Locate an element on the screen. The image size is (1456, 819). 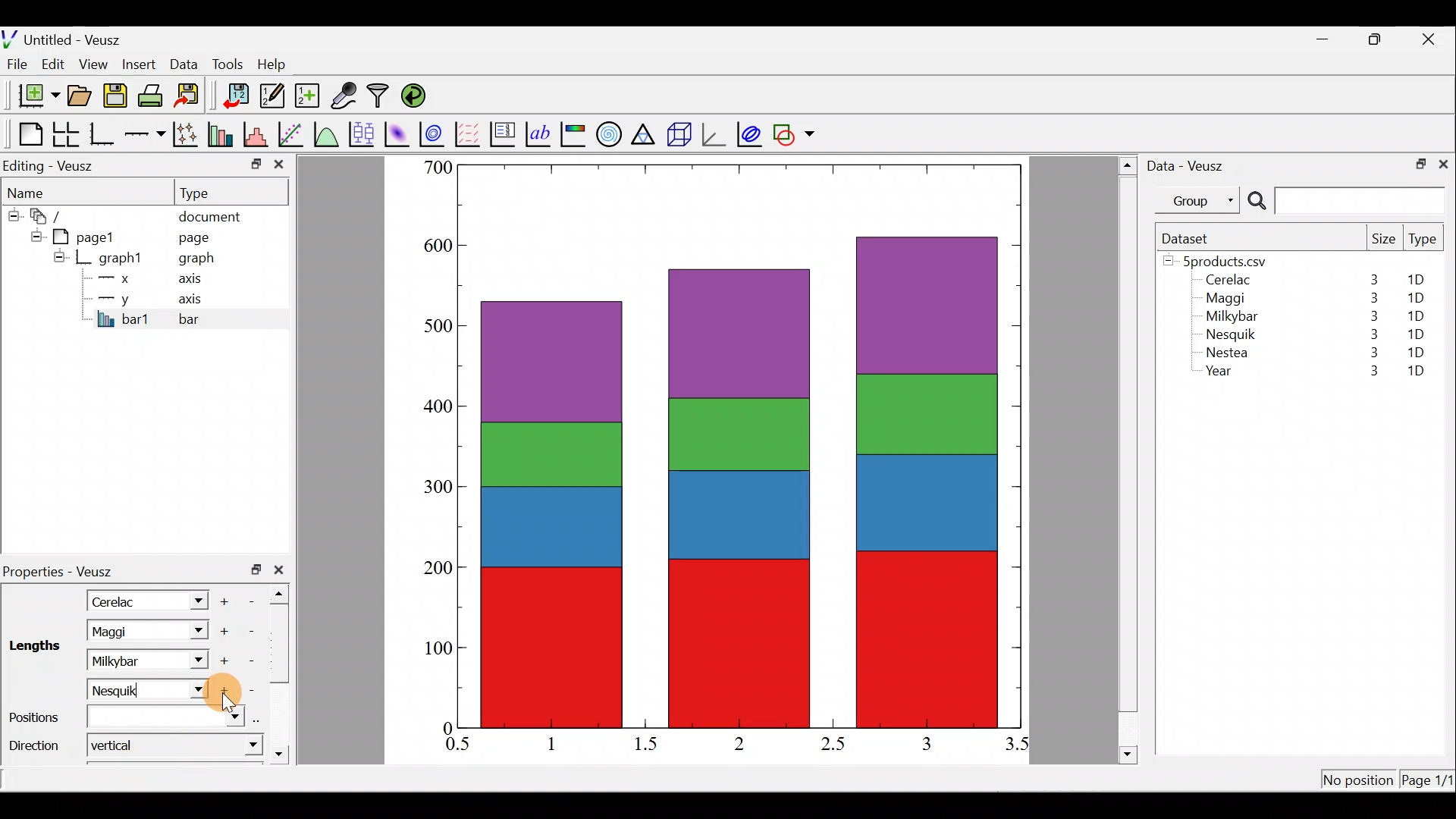
3 is located at coordinates (1366, 372).